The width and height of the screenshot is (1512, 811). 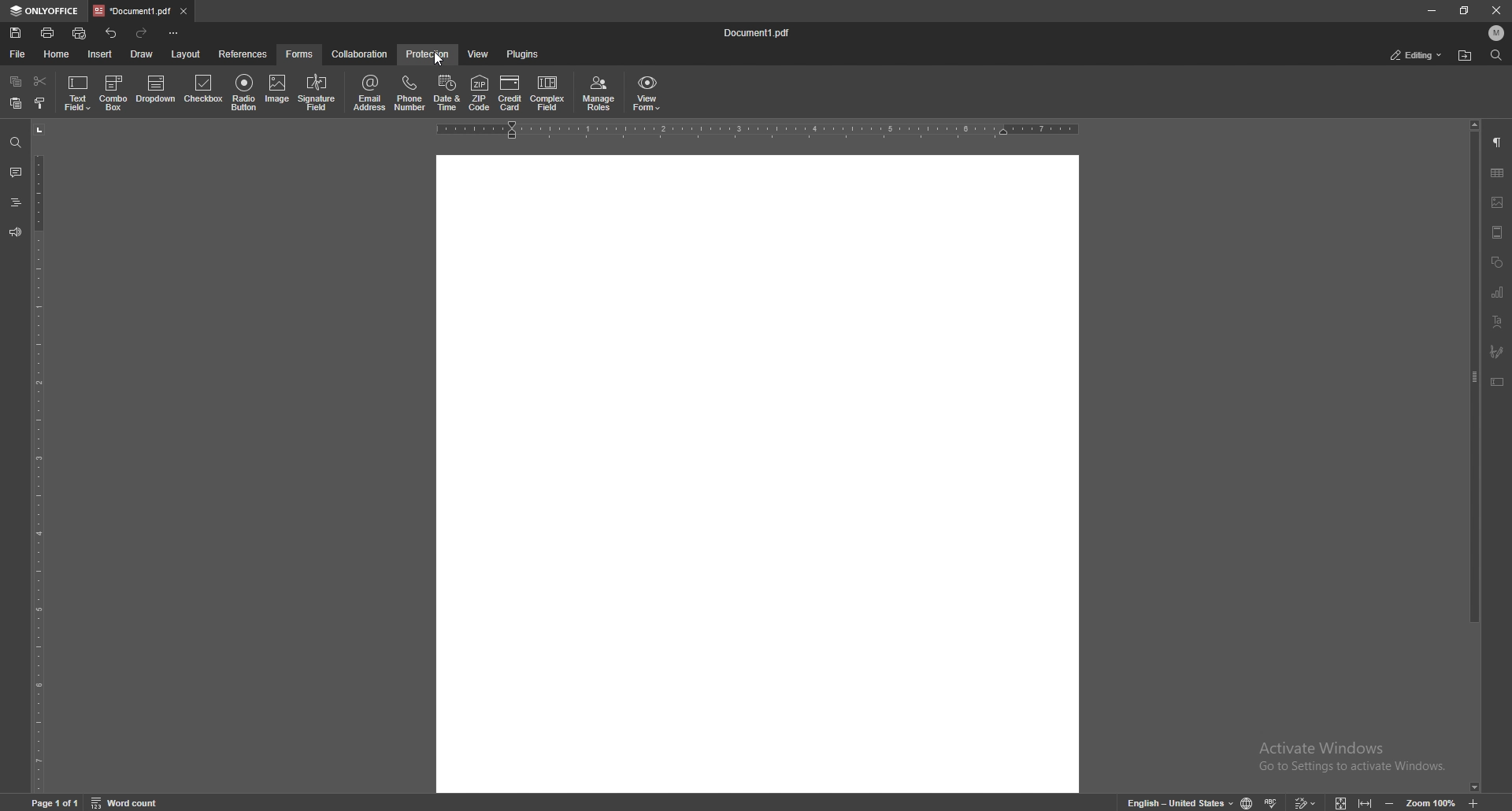 What do you see at coordinates (278, 91) in the screenshot?
I see `image` at bounding box center [278, 91].